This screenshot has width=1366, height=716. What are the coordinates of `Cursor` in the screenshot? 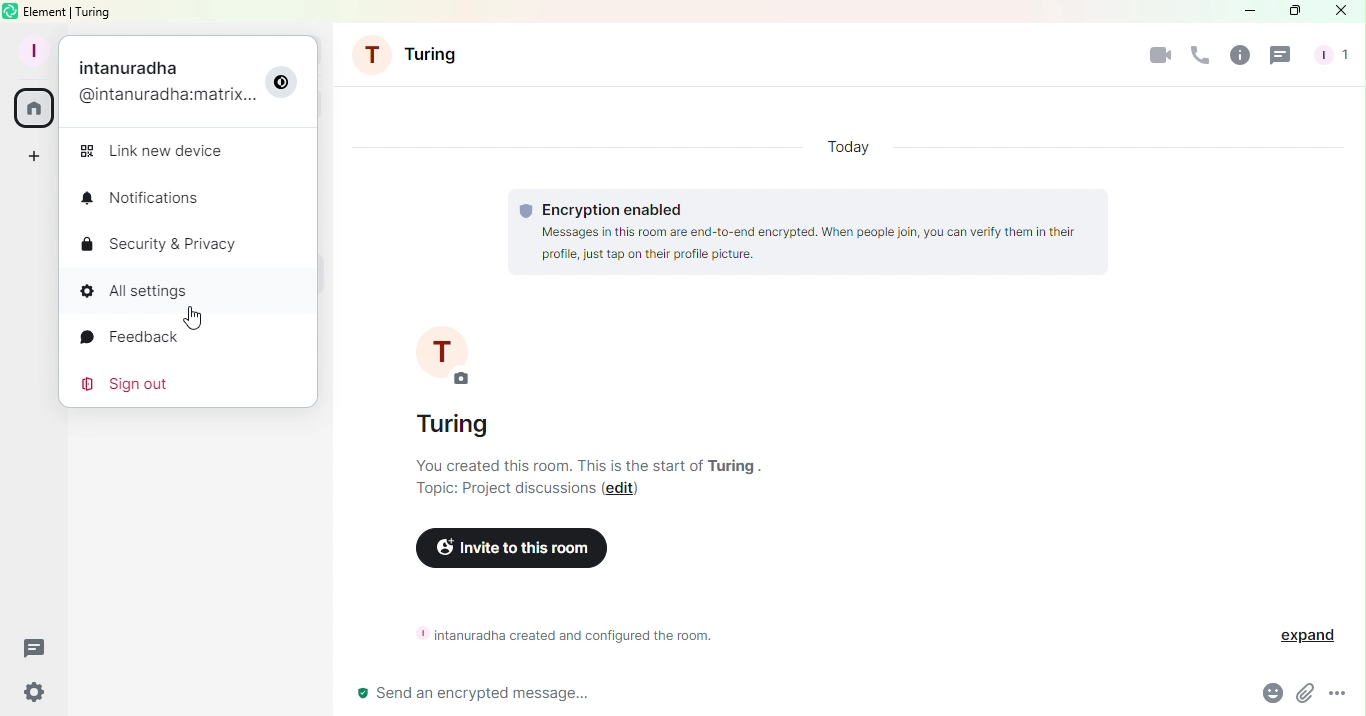 It's located at (196, 319).